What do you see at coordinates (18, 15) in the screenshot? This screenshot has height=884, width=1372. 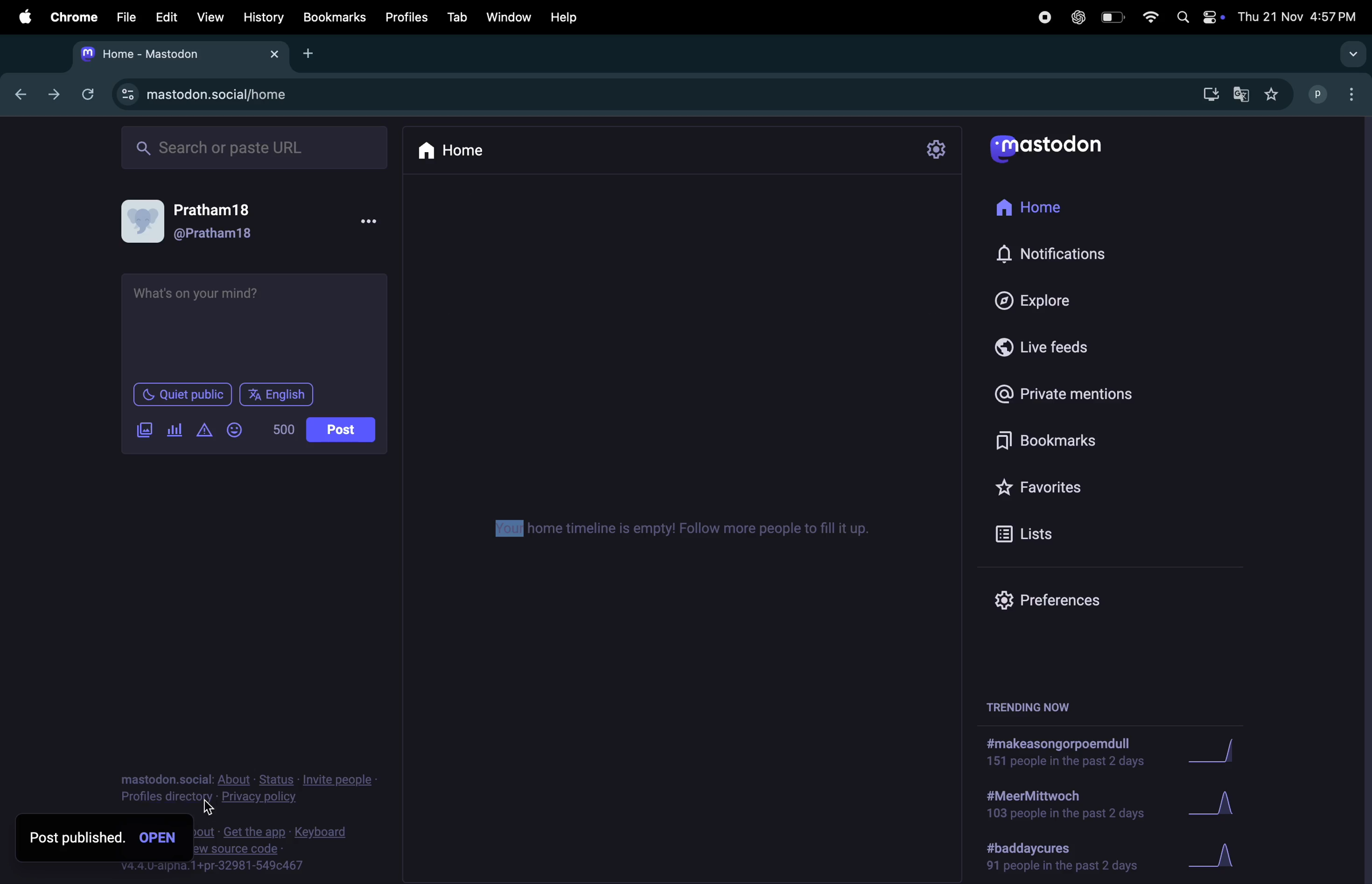 I see `apple menu` at bounding box center [18, 15].